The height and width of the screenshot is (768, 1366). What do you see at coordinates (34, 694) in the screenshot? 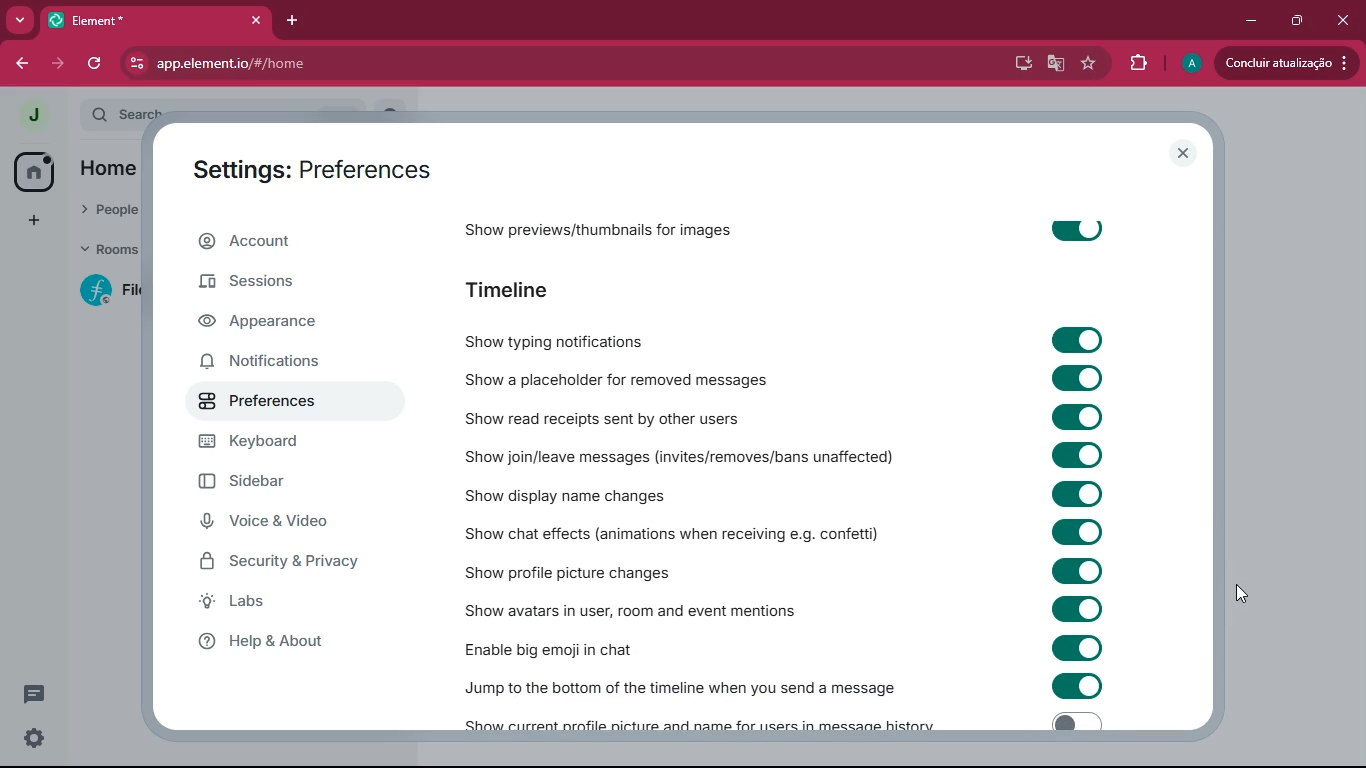
I see `comments` at bounding box center [34, 694].